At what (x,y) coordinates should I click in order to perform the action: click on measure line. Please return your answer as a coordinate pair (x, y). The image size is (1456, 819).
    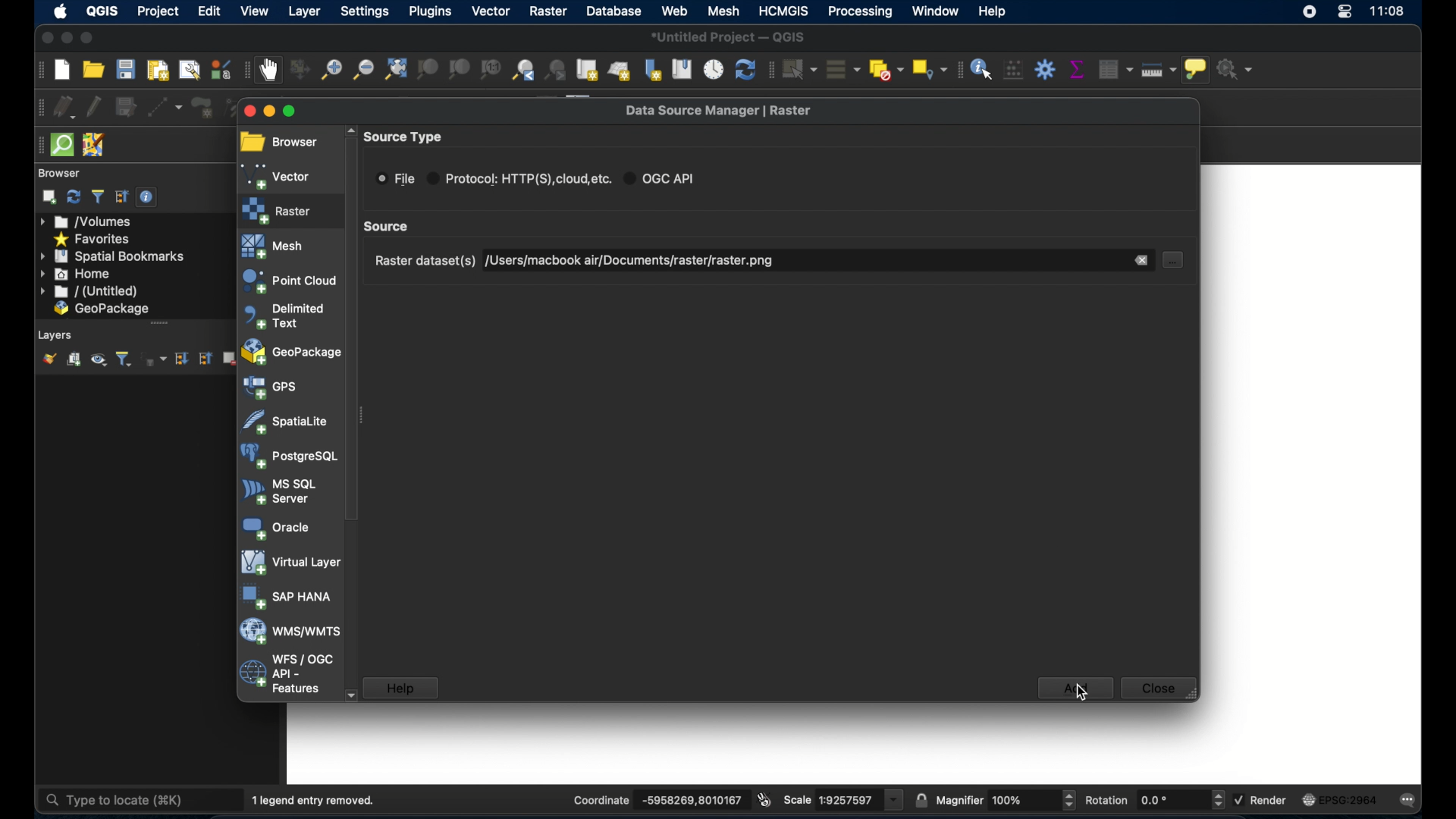
    Looking at the image, I should click on (1161, 72).